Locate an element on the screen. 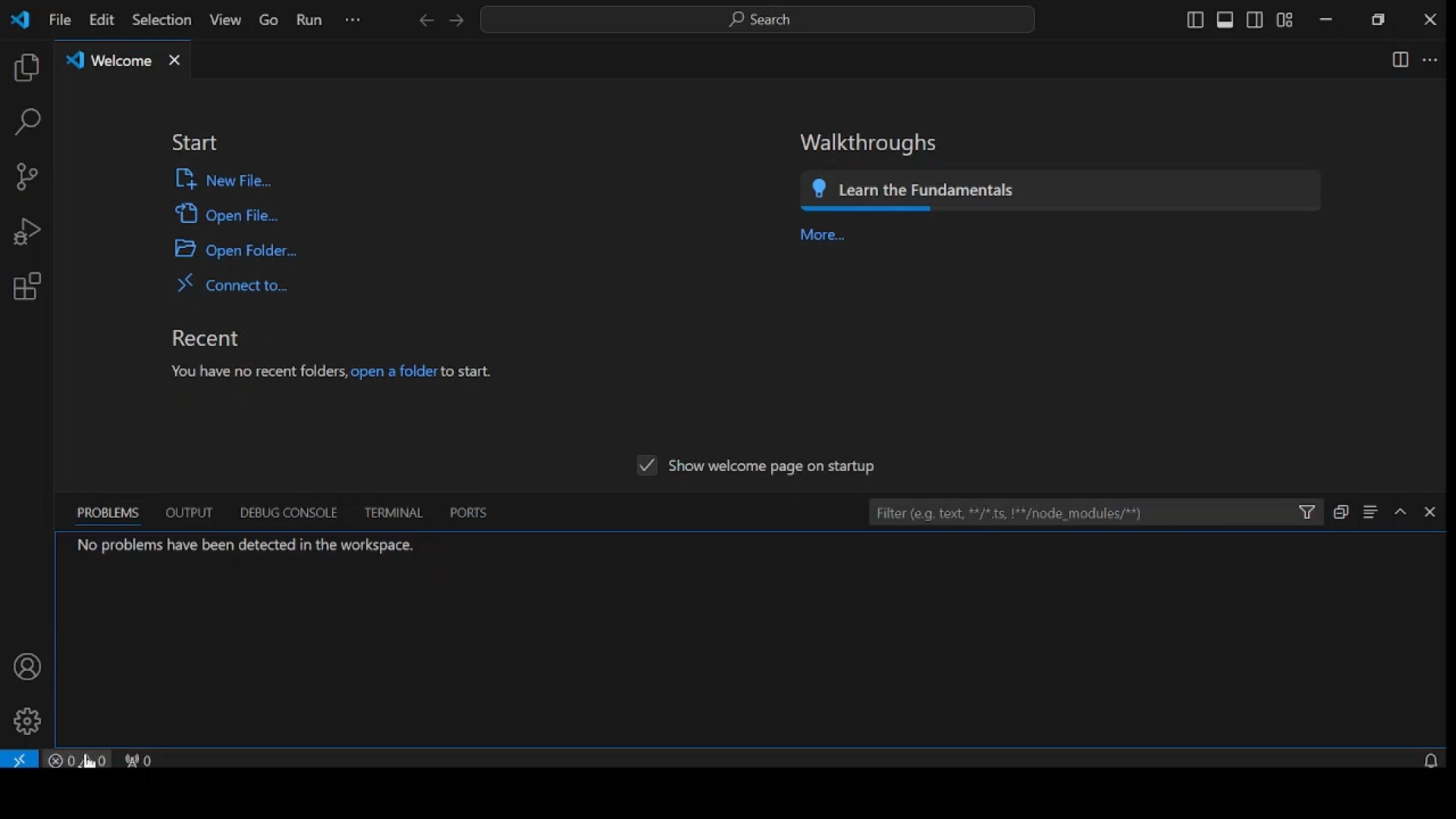 This screenshot has height=819, width=1456. no problems have been detected in the workplace is located at coordinates (248, 546).